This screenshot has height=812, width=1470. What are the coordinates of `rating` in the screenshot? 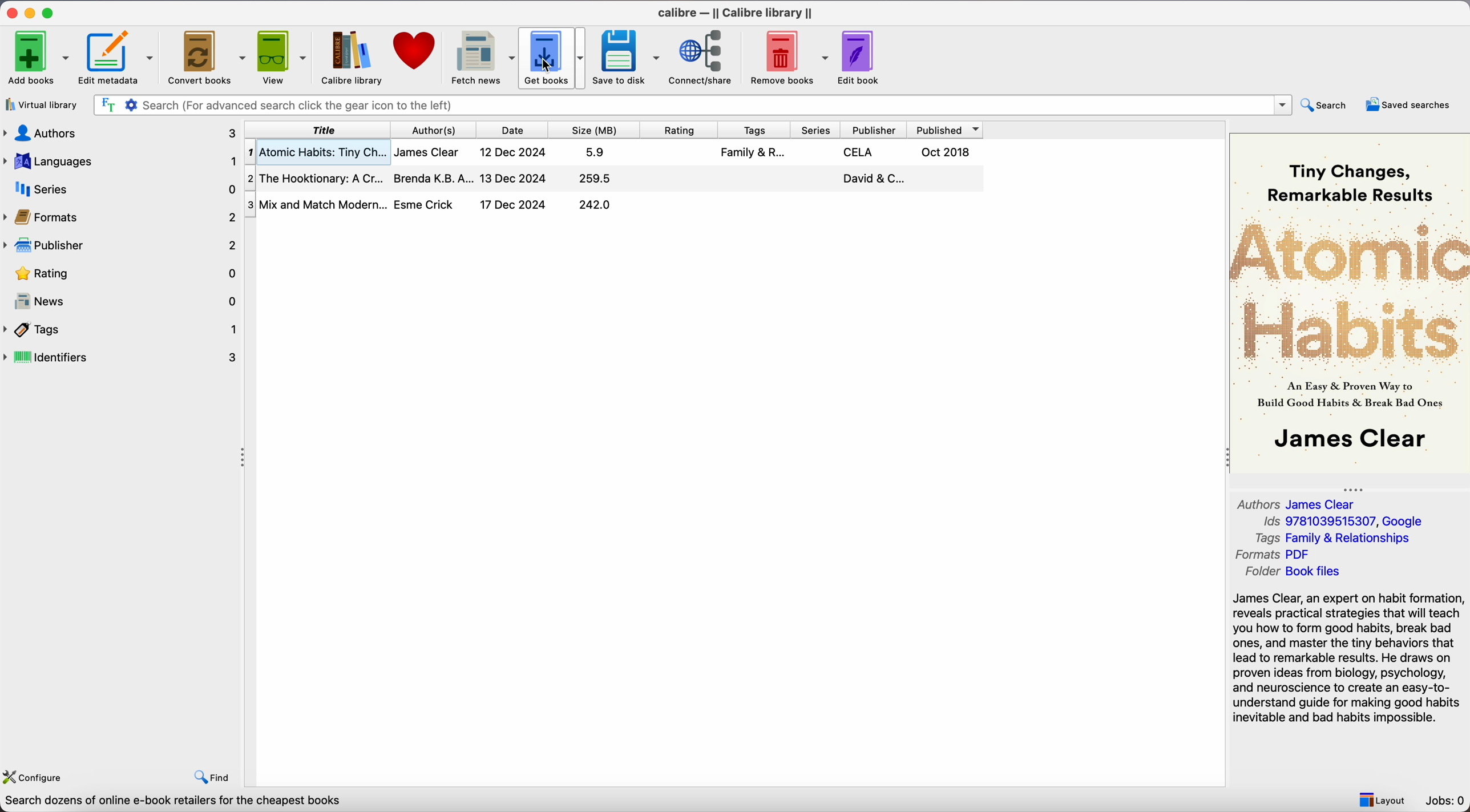 It's located at (123, 273).